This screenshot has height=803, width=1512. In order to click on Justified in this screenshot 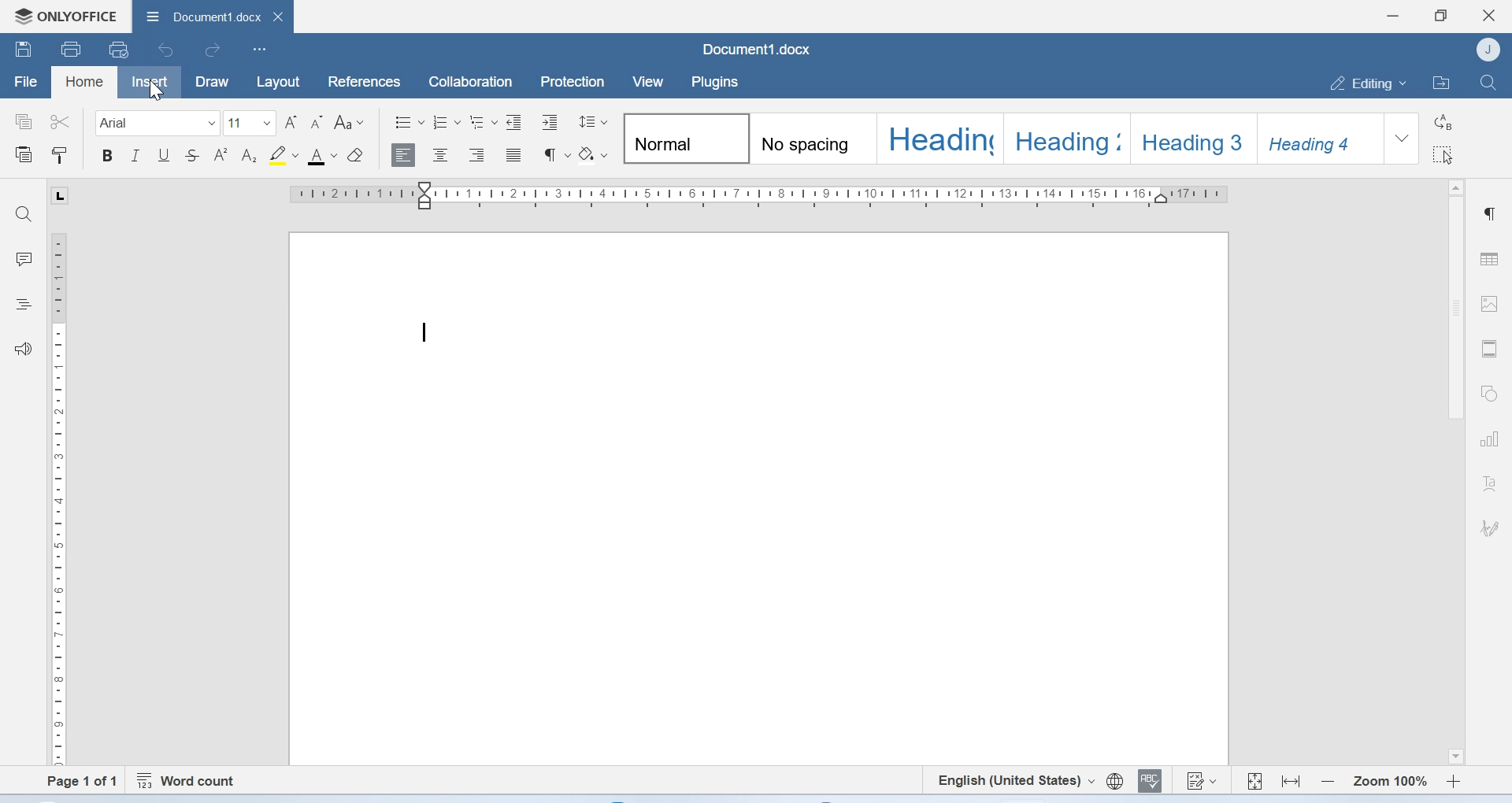, I will do `click(513, 156)`.